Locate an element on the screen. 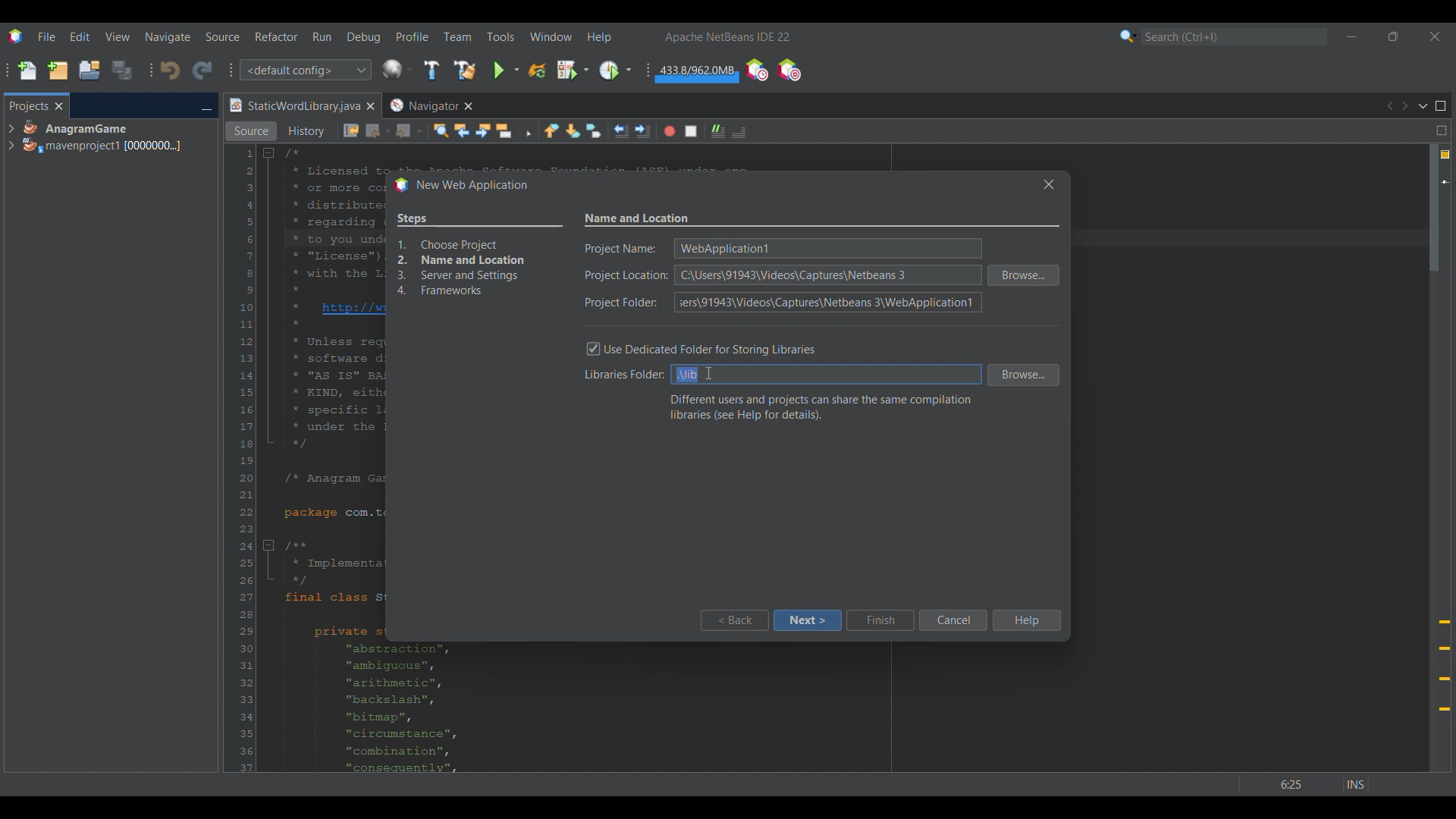  Maximize window is located at coordinates (1441, 106).